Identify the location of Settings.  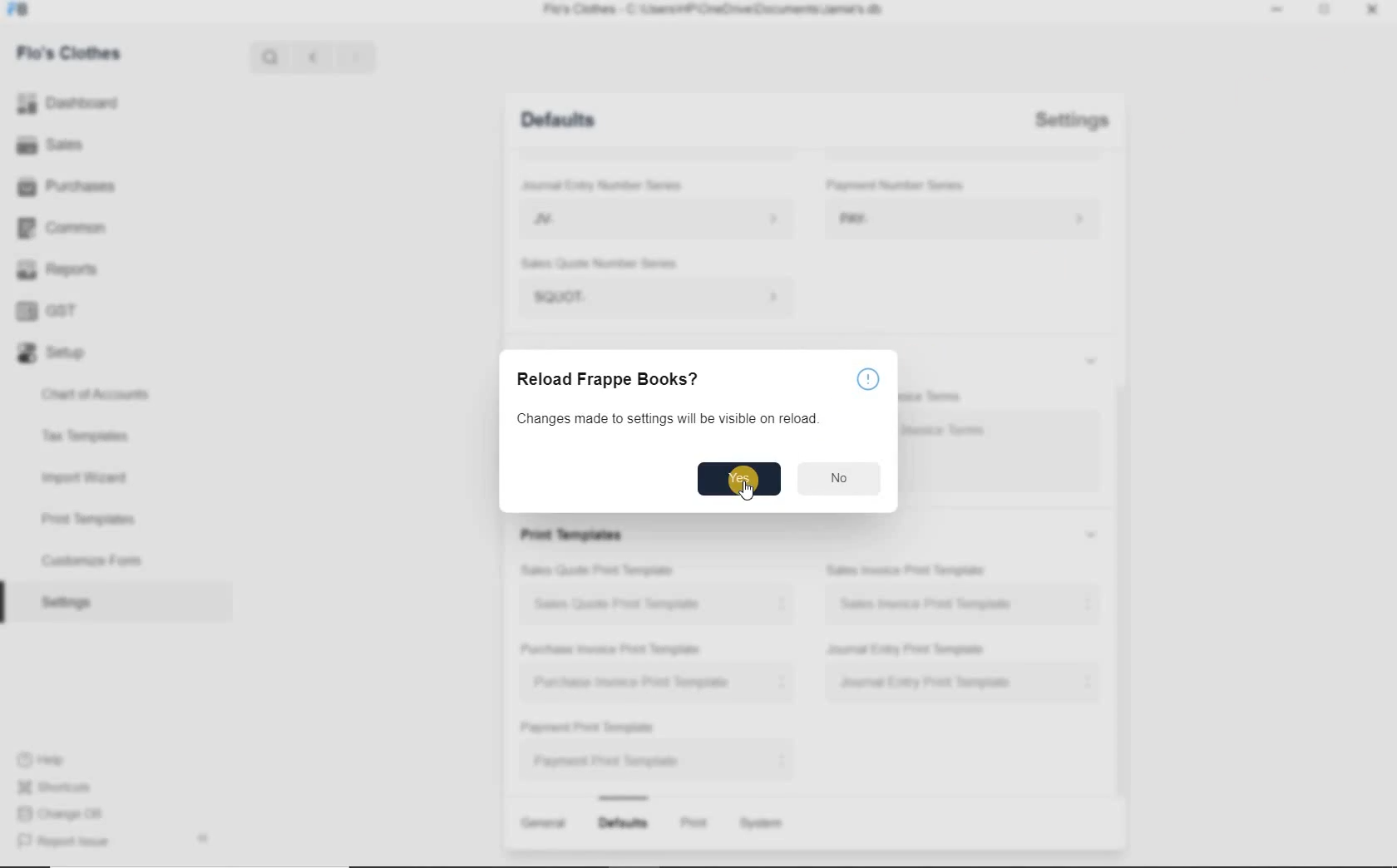
(1074, 120).